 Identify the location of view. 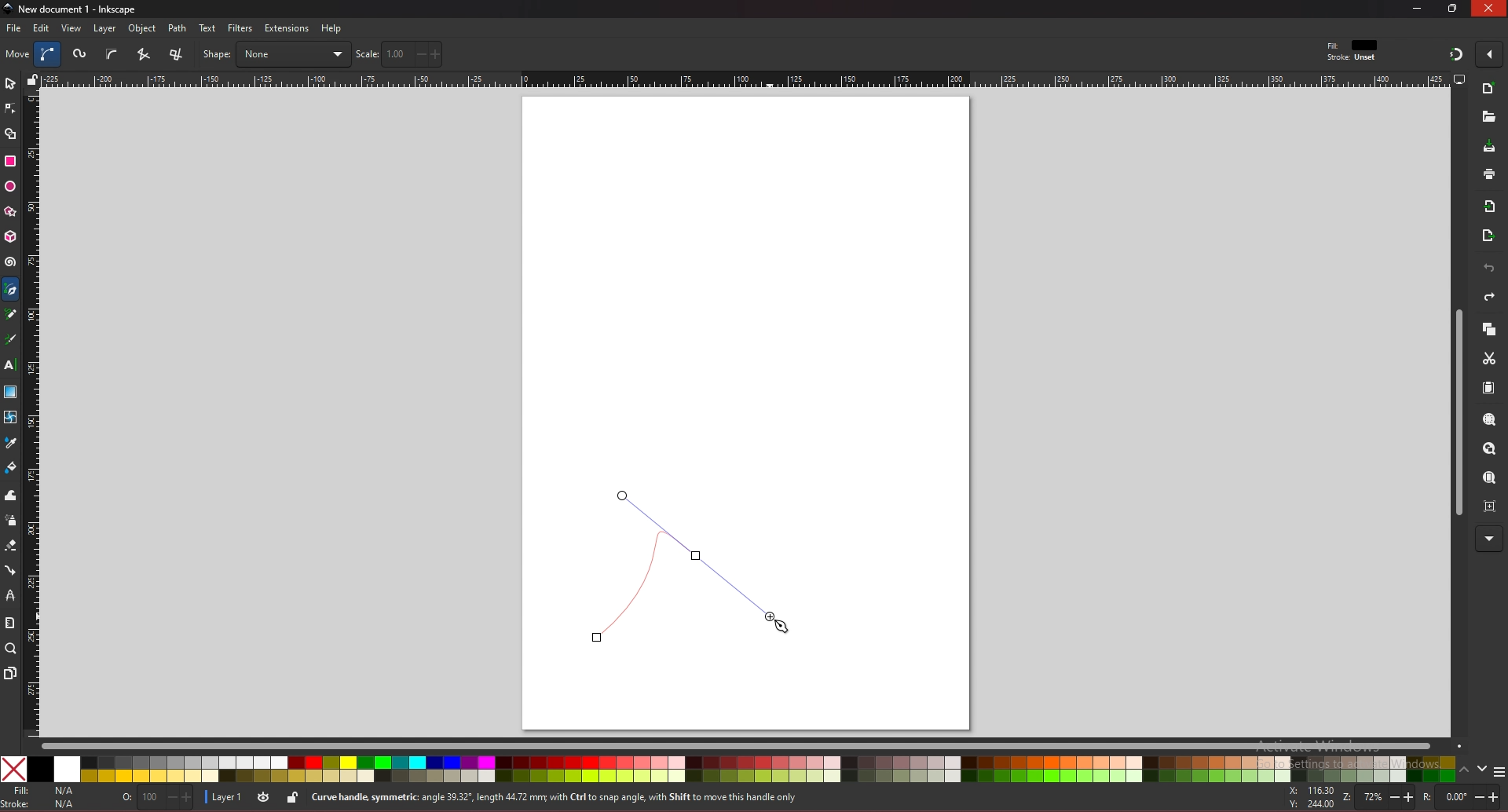
(72, 28).